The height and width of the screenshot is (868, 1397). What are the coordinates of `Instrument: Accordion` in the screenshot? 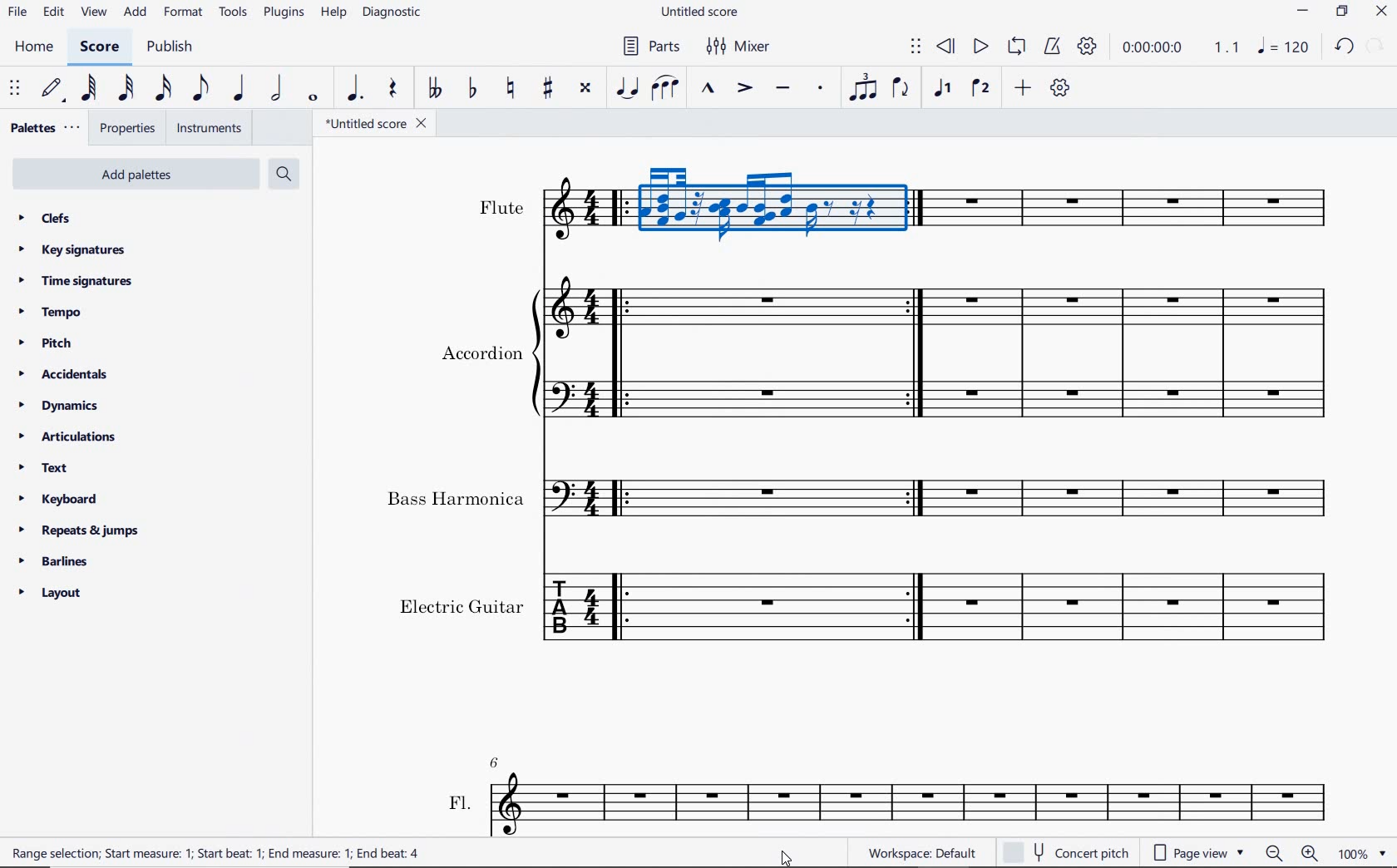 It's located at (891, 353).